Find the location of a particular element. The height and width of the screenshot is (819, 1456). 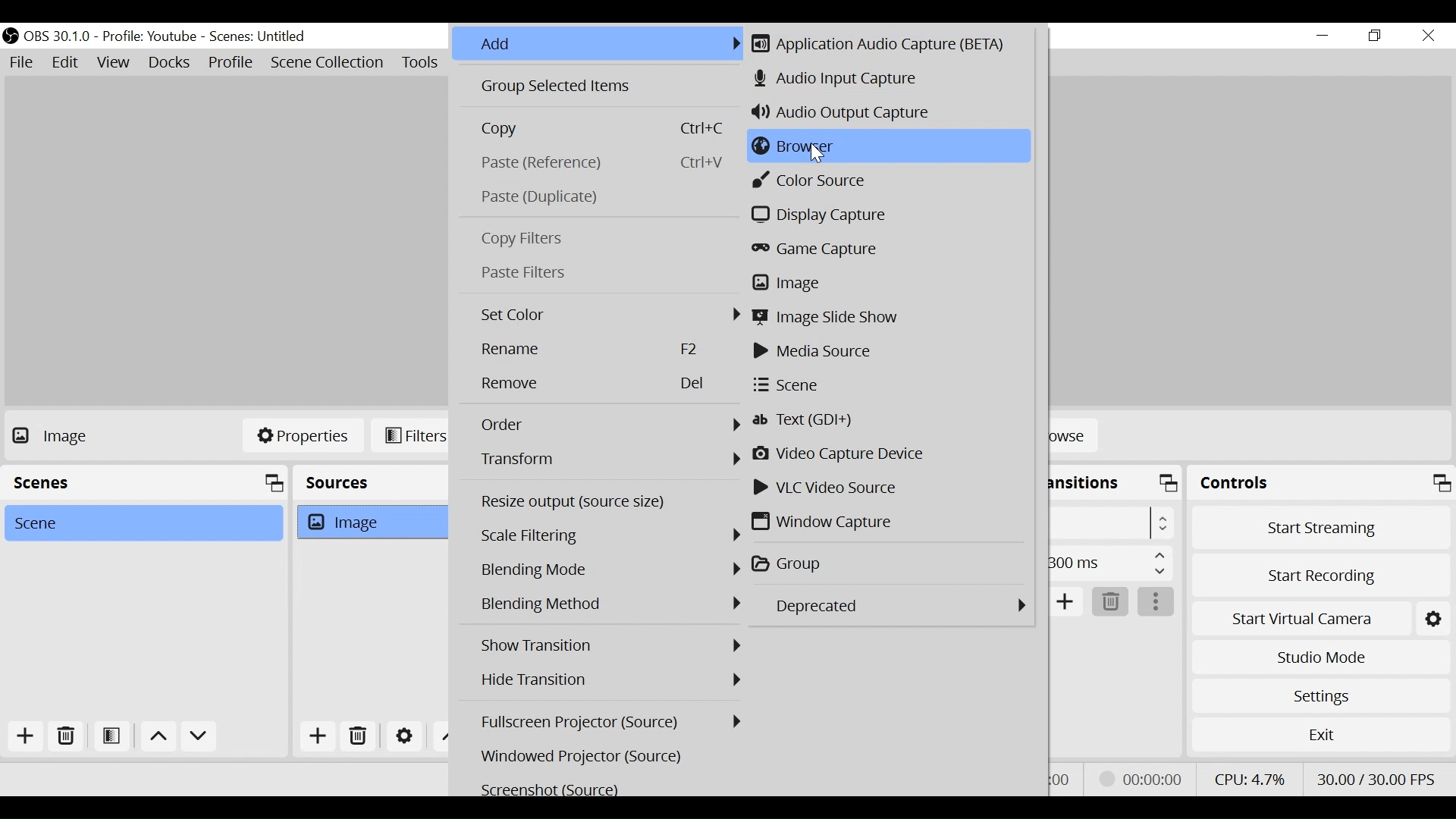

Application Audio Capture (BETA) is located at coordinates (893, 44).